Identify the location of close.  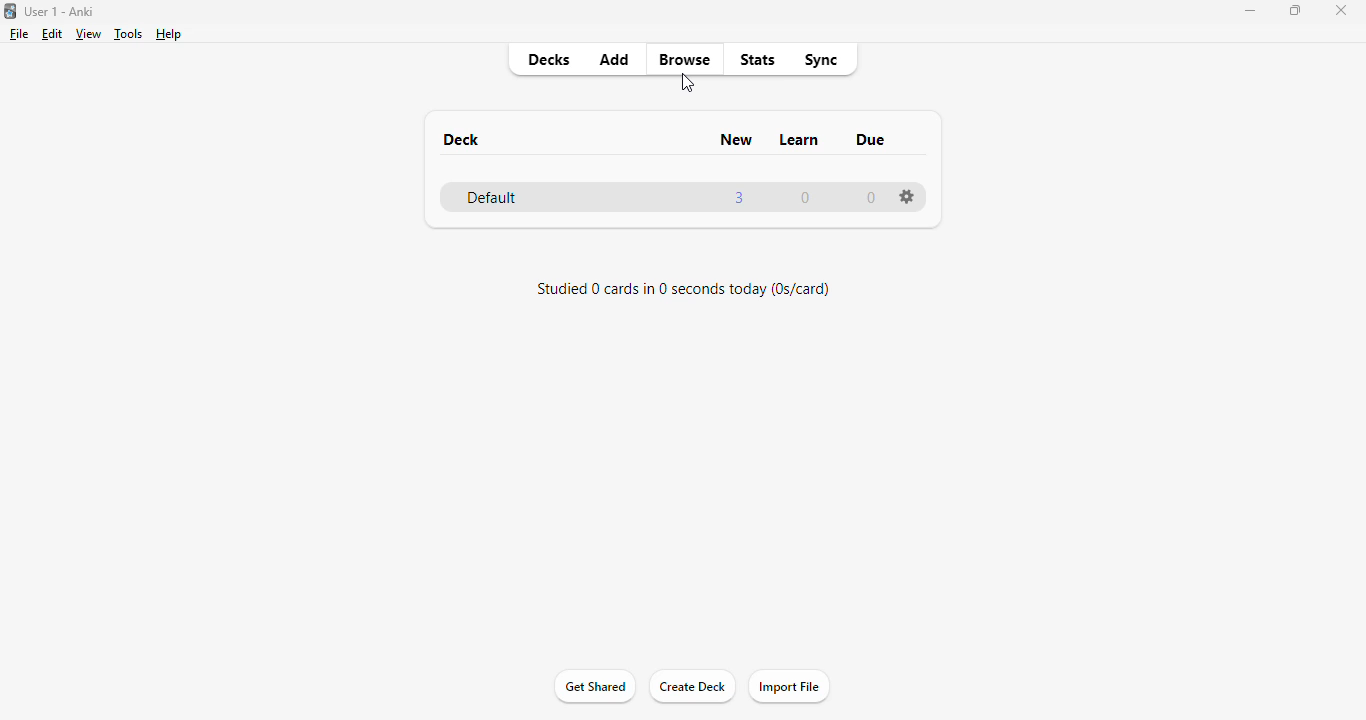
(1340, 9).